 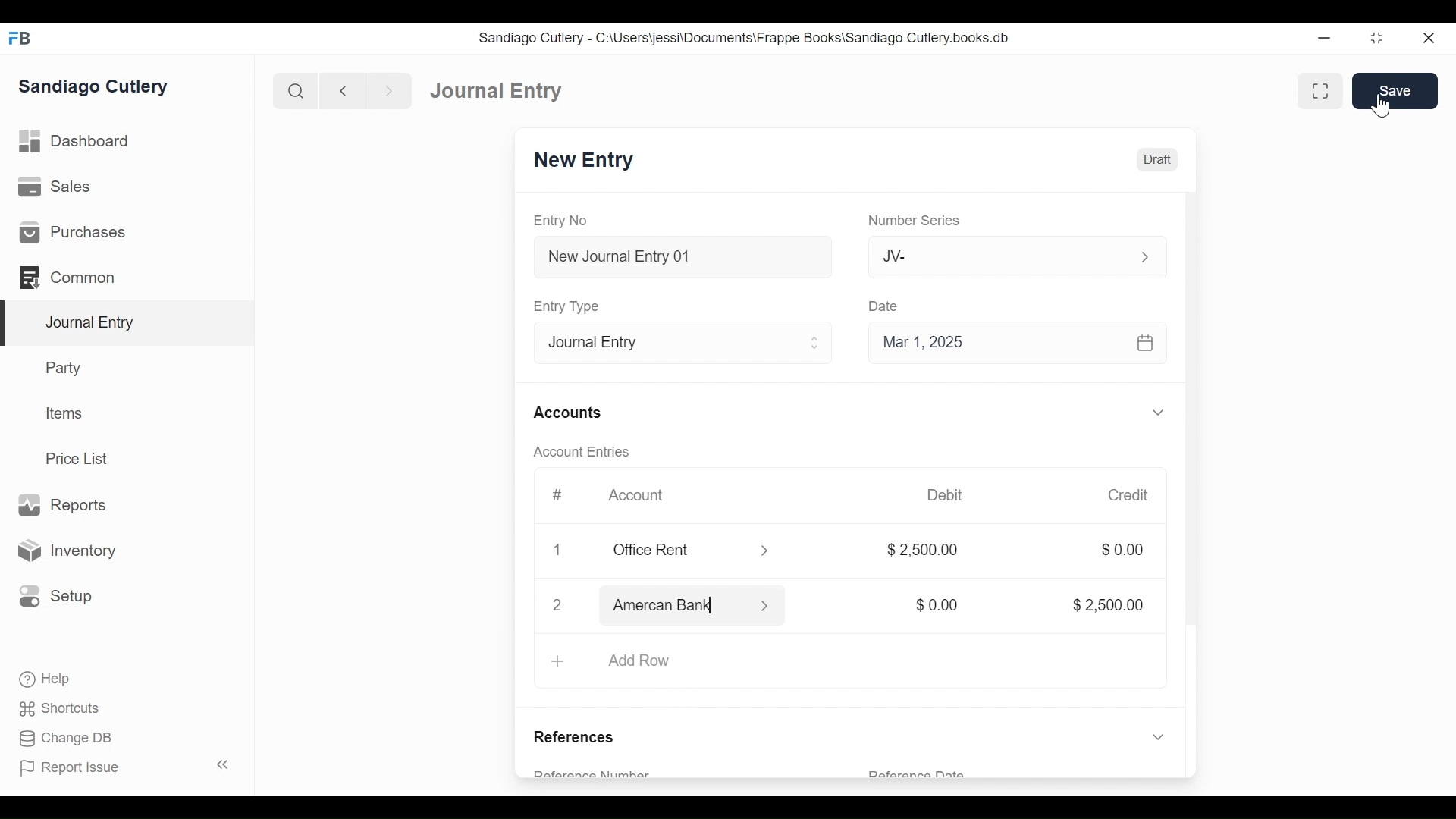 I want to click on $2500.00, so click(x=924, y=552).